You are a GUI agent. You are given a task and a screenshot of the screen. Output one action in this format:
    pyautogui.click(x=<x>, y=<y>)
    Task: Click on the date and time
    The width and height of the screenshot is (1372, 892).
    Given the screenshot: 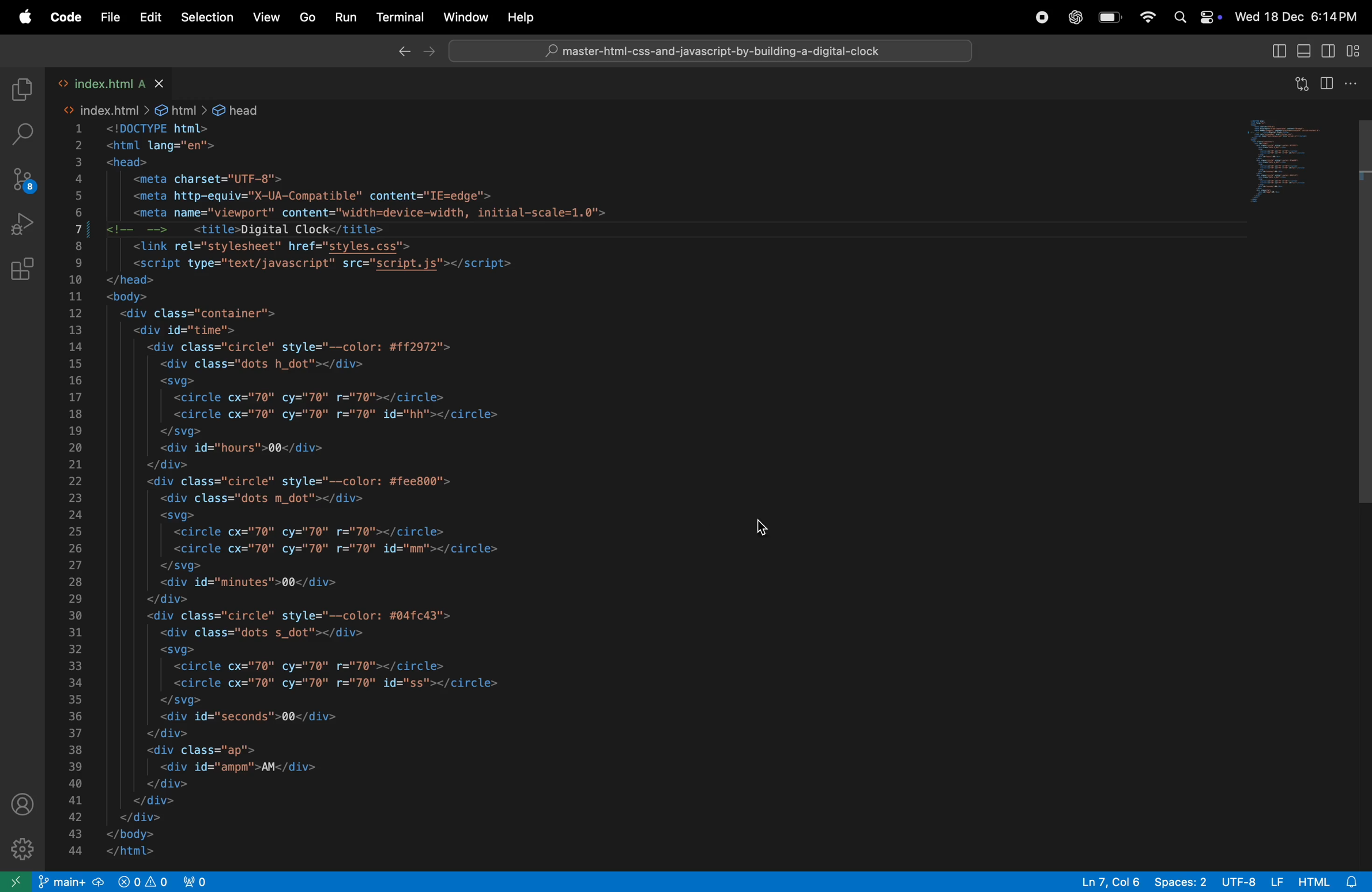 What is the action you would take?
    pyautogui.click(x=1299, y=16)
    